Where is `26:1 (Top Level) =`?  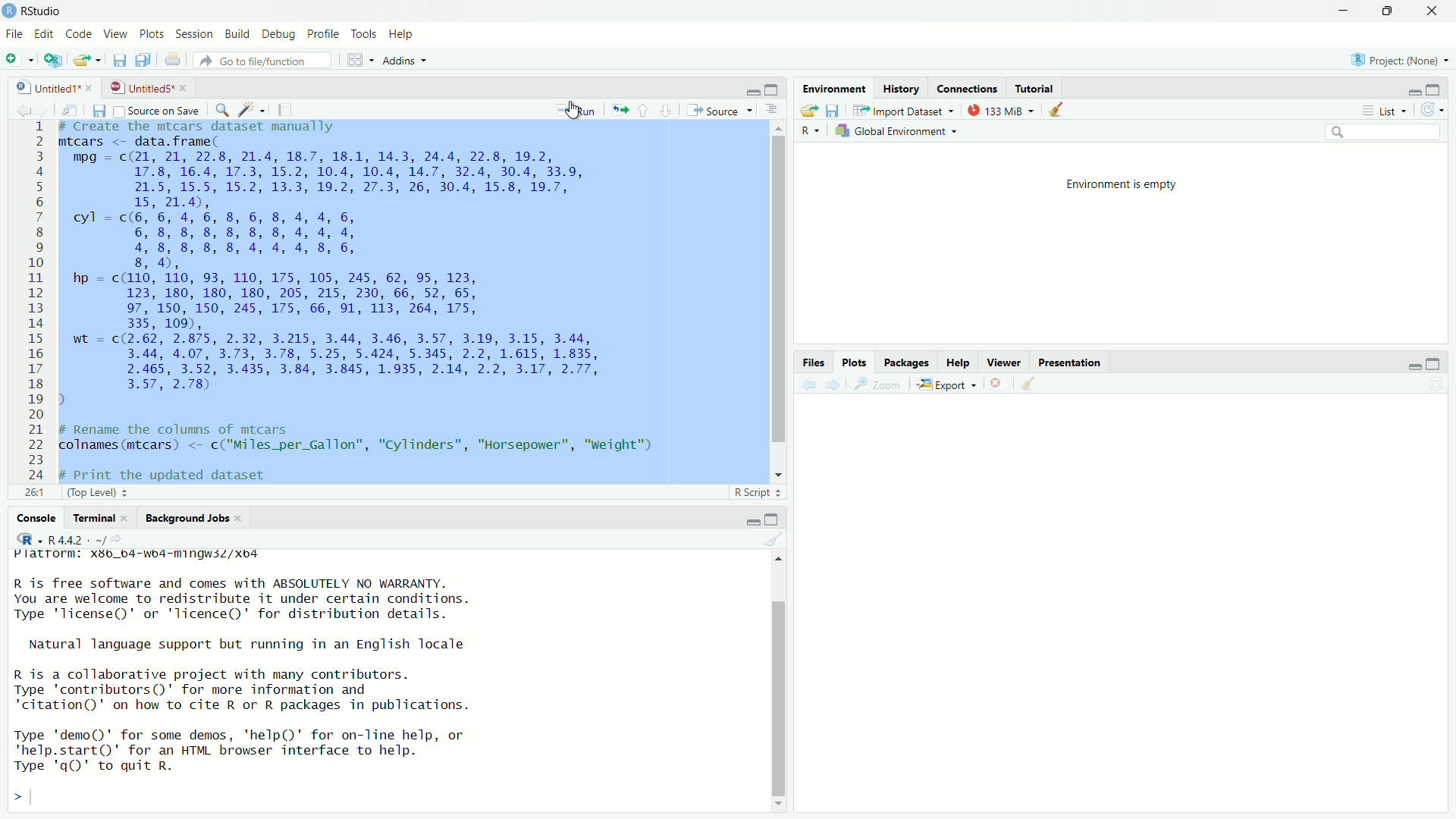
26:1 (Top Level) = is located at coordinates (86, 491).